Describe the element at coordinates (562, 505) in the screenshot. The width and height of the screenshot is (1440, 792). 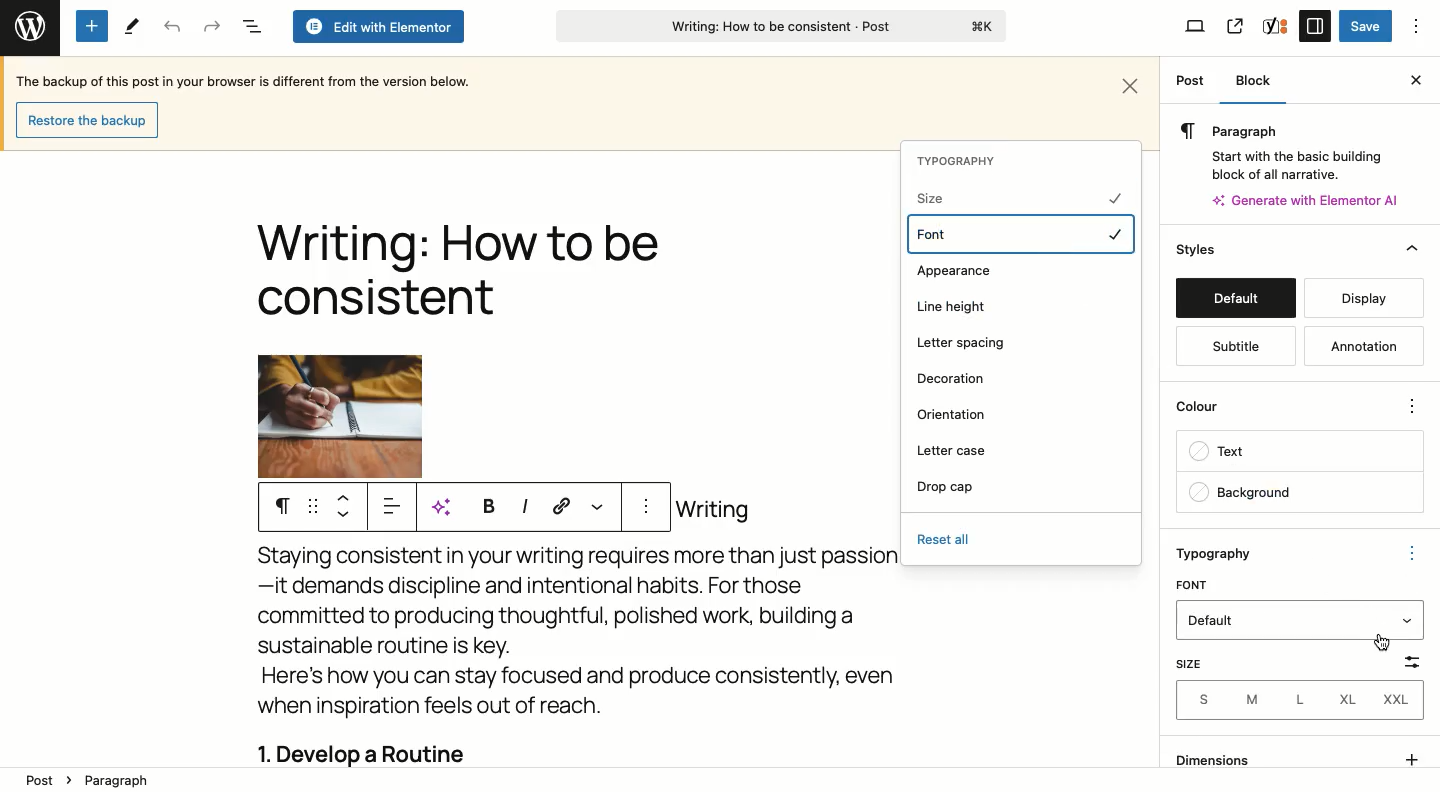
I see `Link` at that location.